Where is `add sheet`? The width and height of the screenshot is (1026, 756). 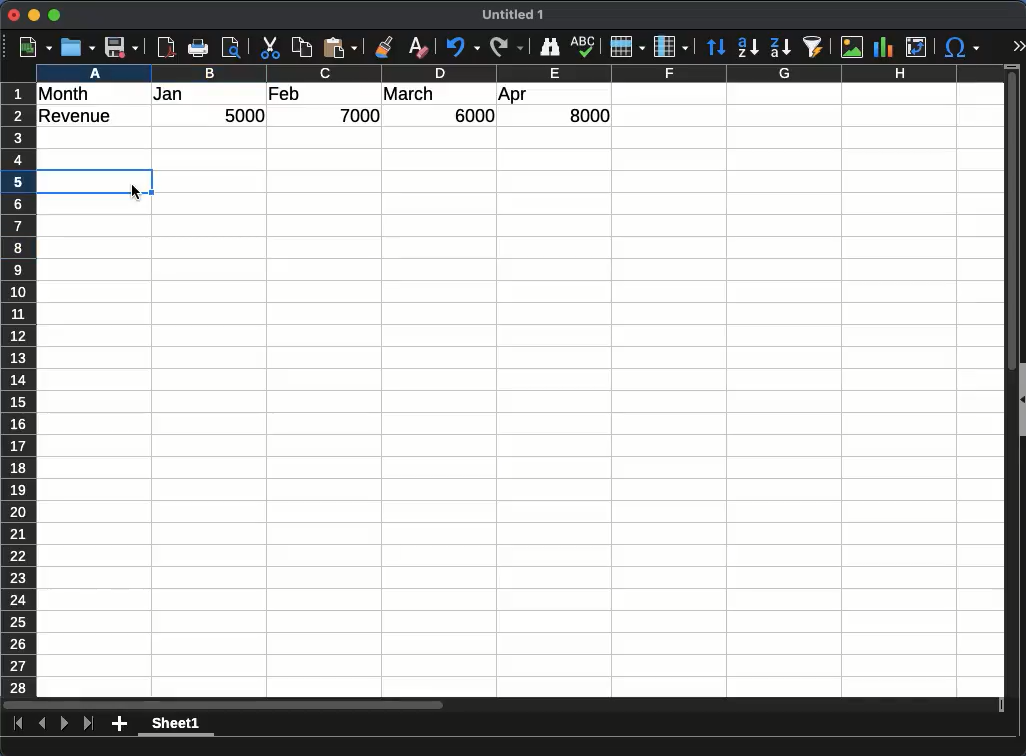 add sheet is located at coordinates (119, 724).